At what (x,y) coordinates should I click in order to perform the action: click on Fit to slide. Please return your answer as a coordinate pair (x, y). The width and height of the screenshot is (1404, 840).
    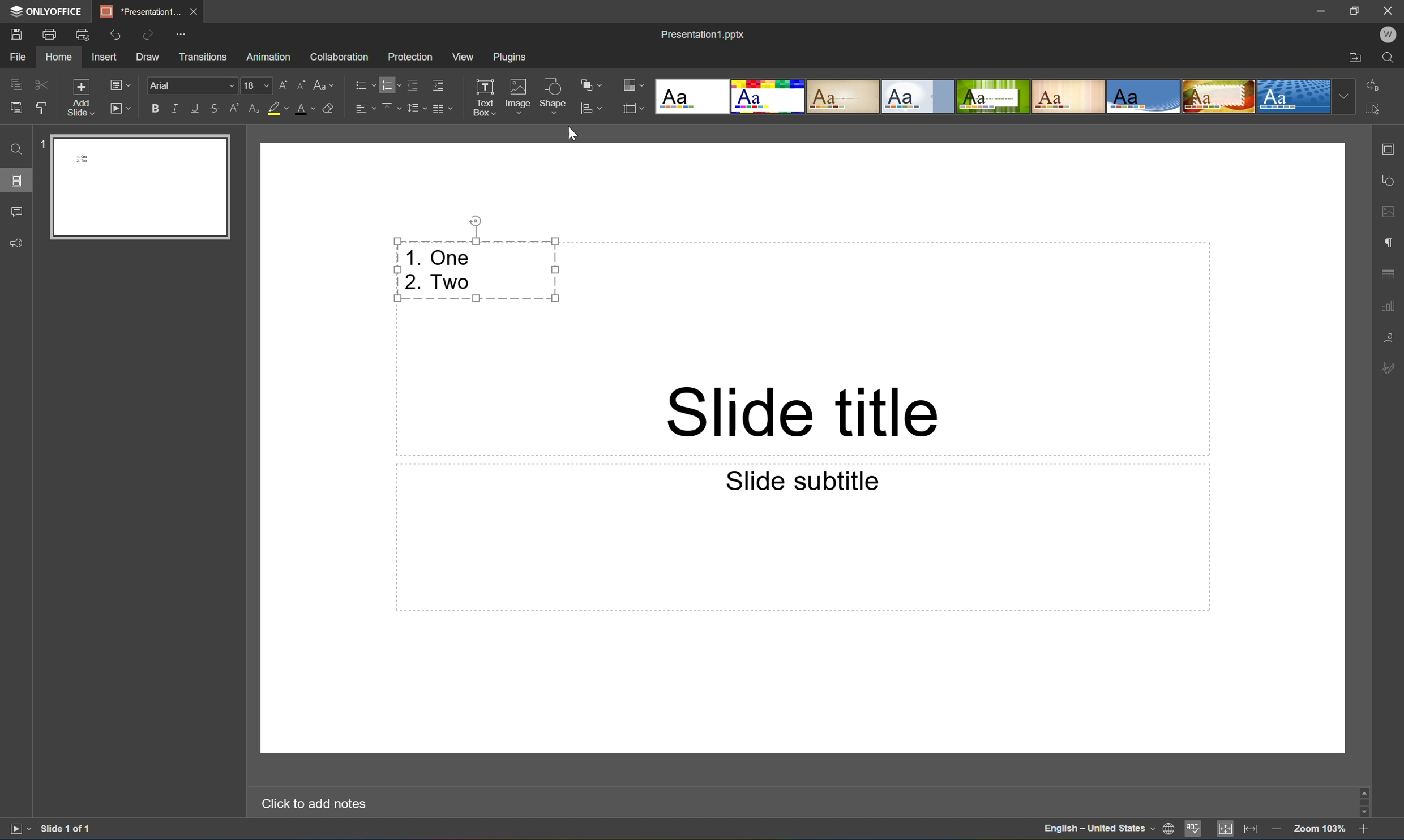
    Looking at the image, I should click on (1227, 828).